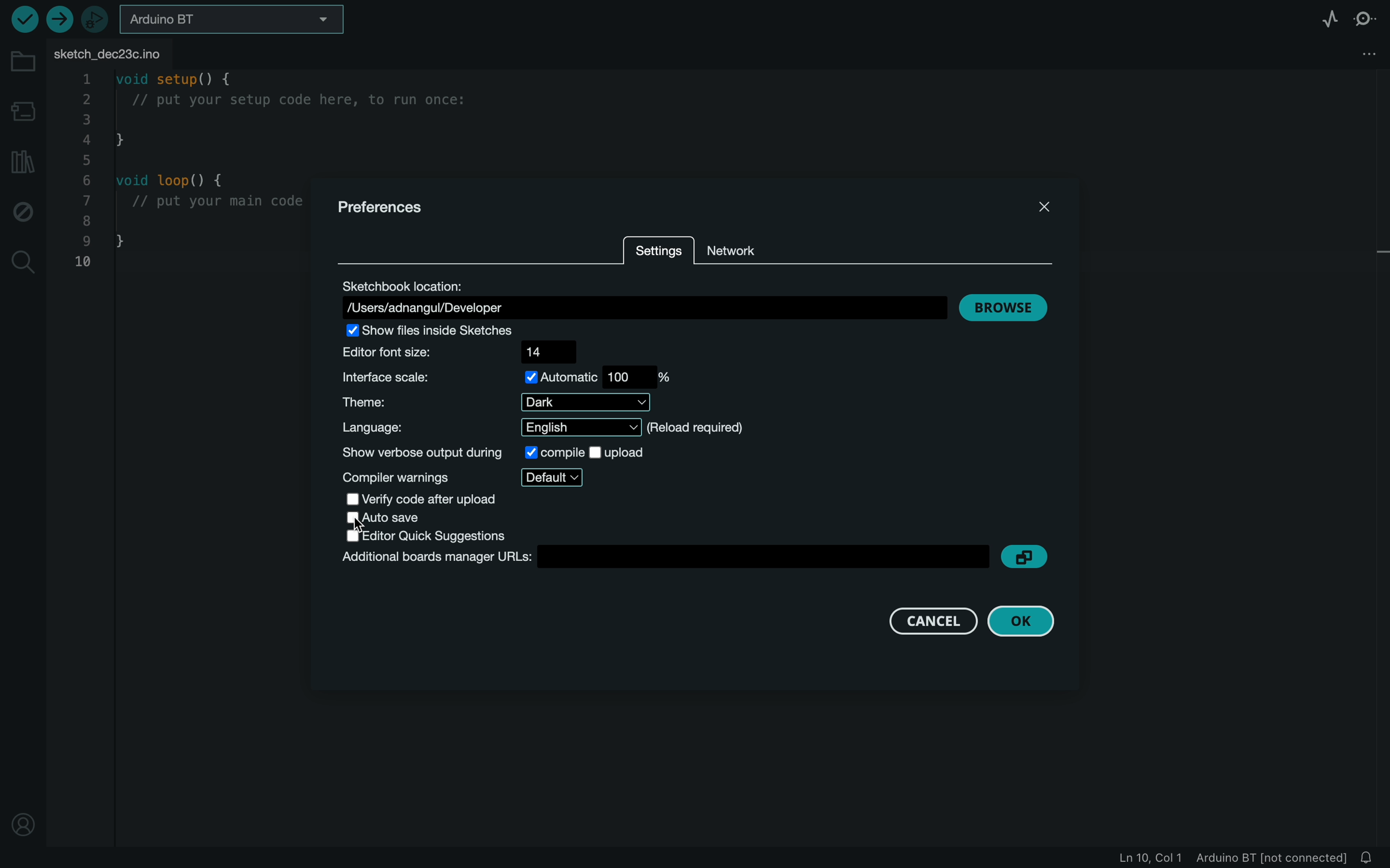 The image size is (1390, 868). I want to click on serial plotter, so click(1325, 18).